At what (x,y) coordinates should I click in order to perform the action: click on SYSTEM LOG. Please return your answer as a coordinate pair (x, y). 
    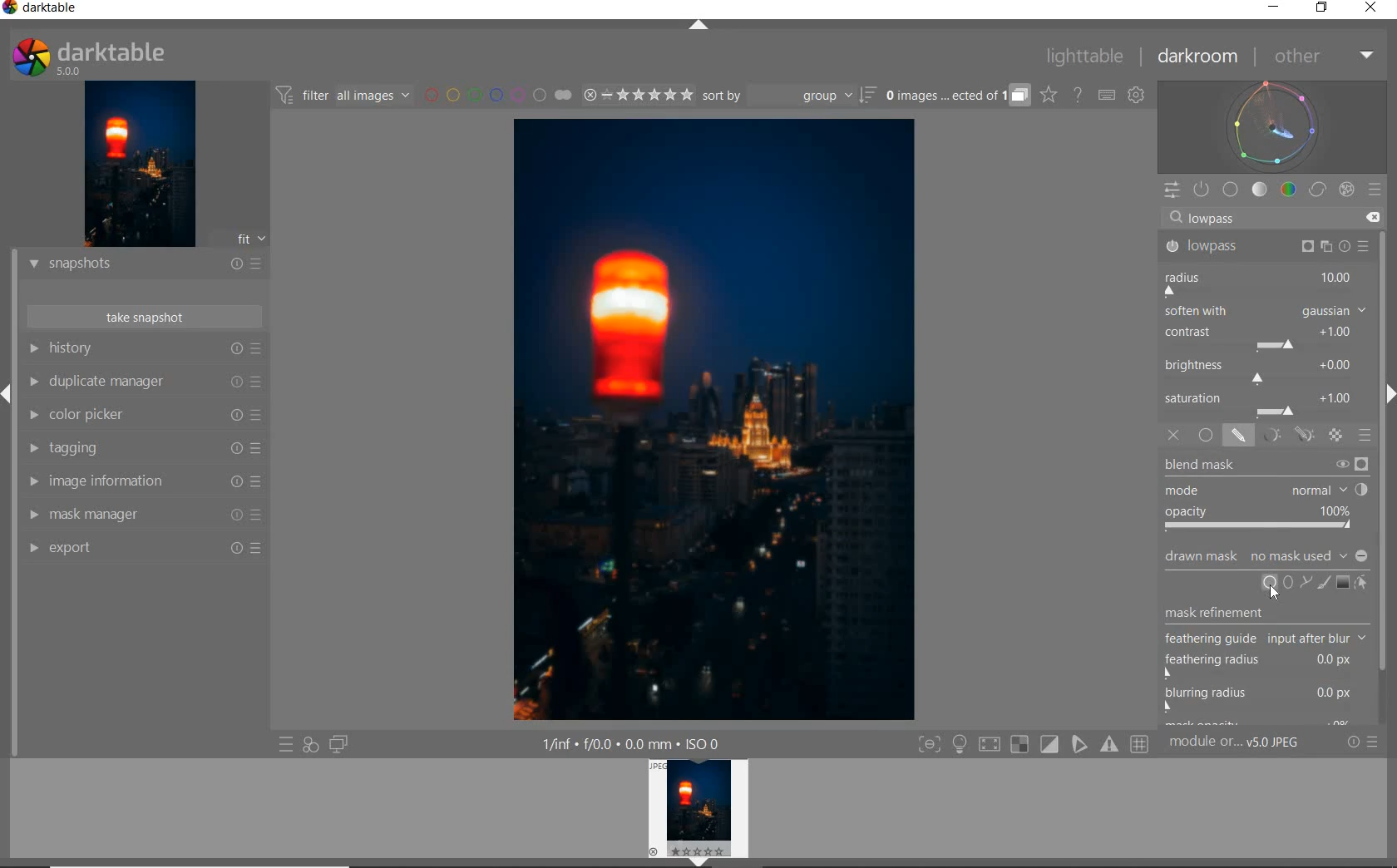
    Looking at the image, I should click on (106, 56).